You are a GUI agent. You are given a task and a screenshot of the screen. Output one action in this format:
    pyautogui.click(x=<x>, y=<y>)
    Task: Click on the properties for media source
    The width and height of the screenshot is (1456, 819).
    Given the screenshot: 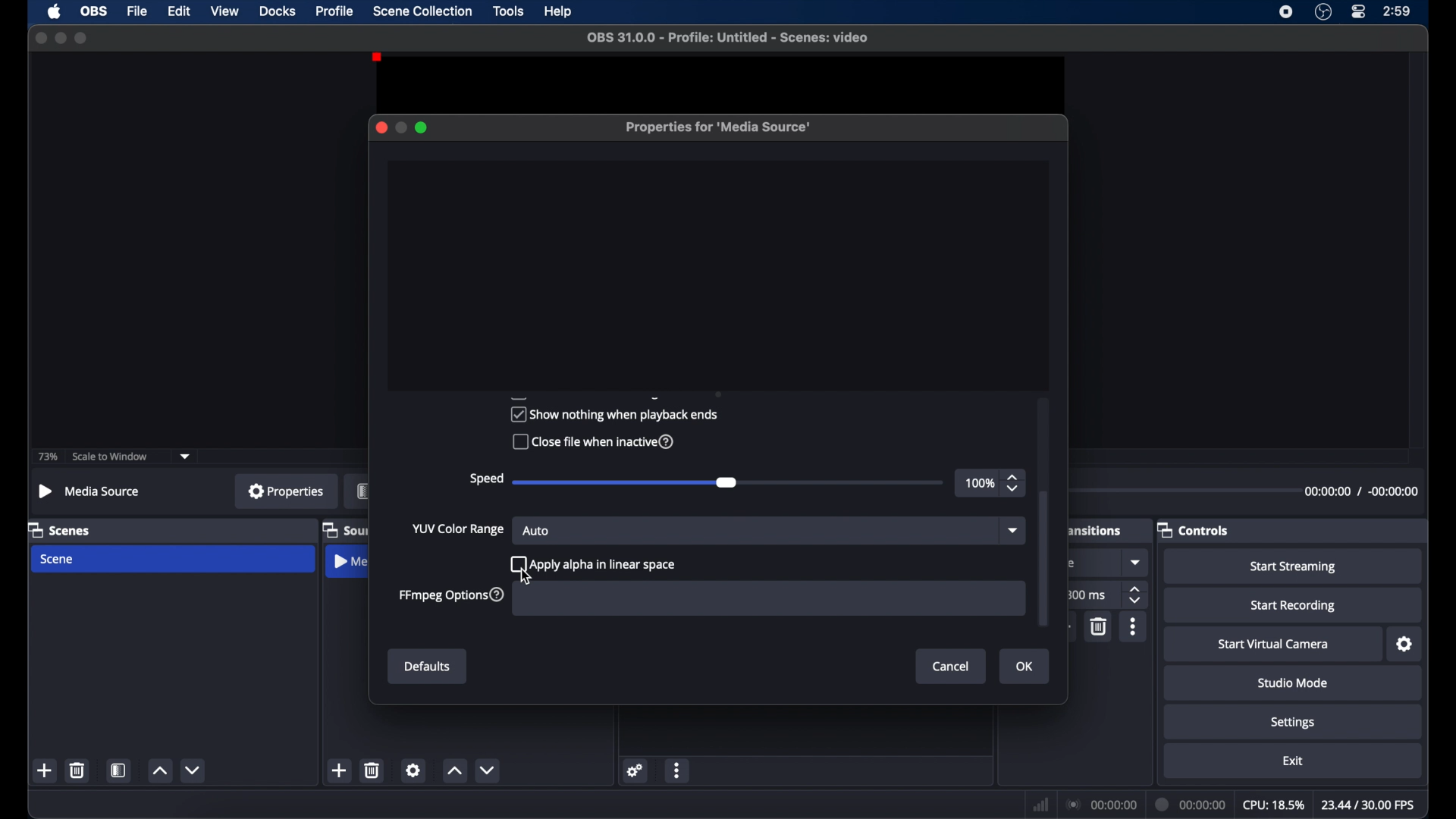 What is the action you would take?
    pyautogui.click(x=717, y=127)
    